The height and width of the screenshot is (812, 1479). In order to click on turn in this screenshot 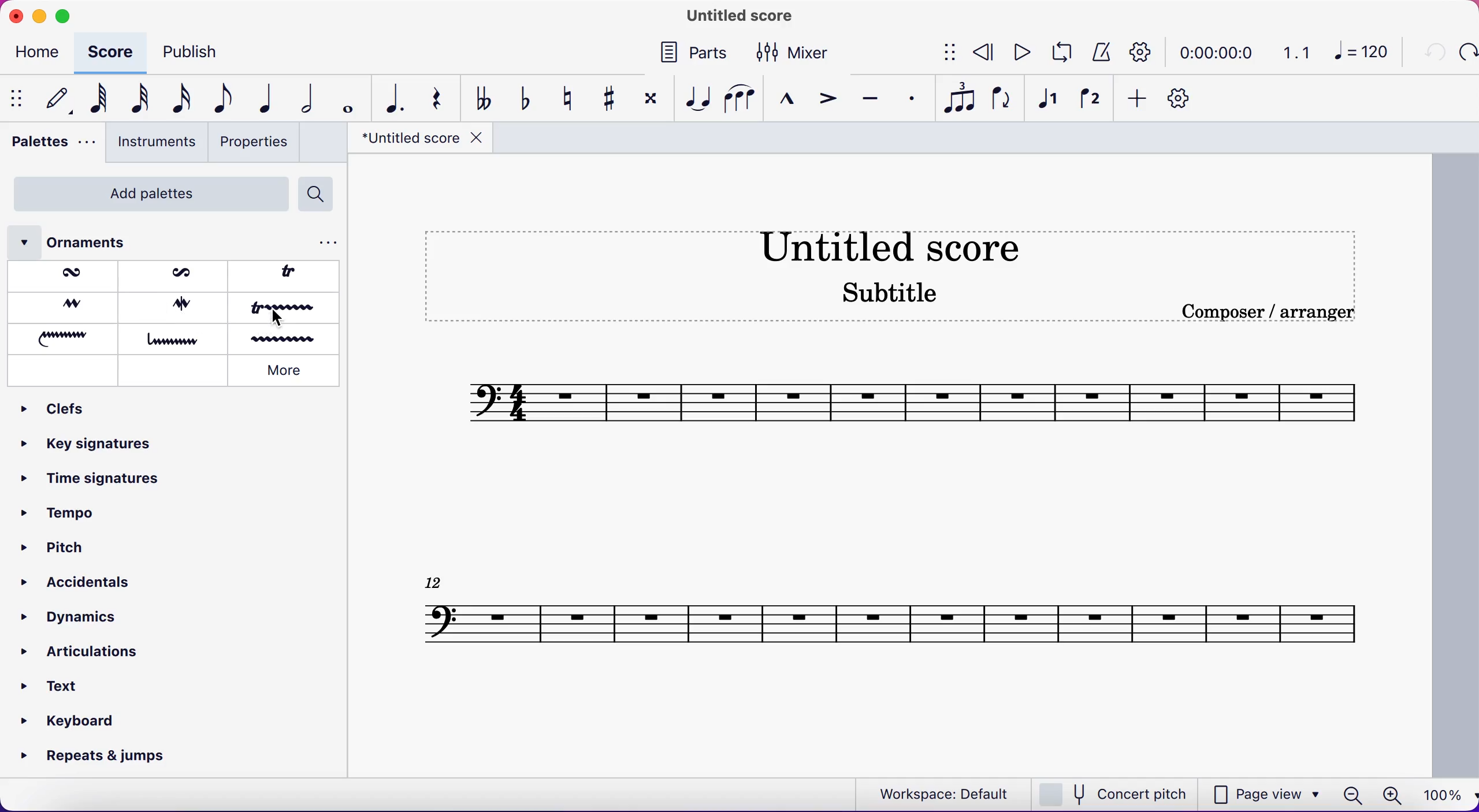, I will do `click(62, 307)`.